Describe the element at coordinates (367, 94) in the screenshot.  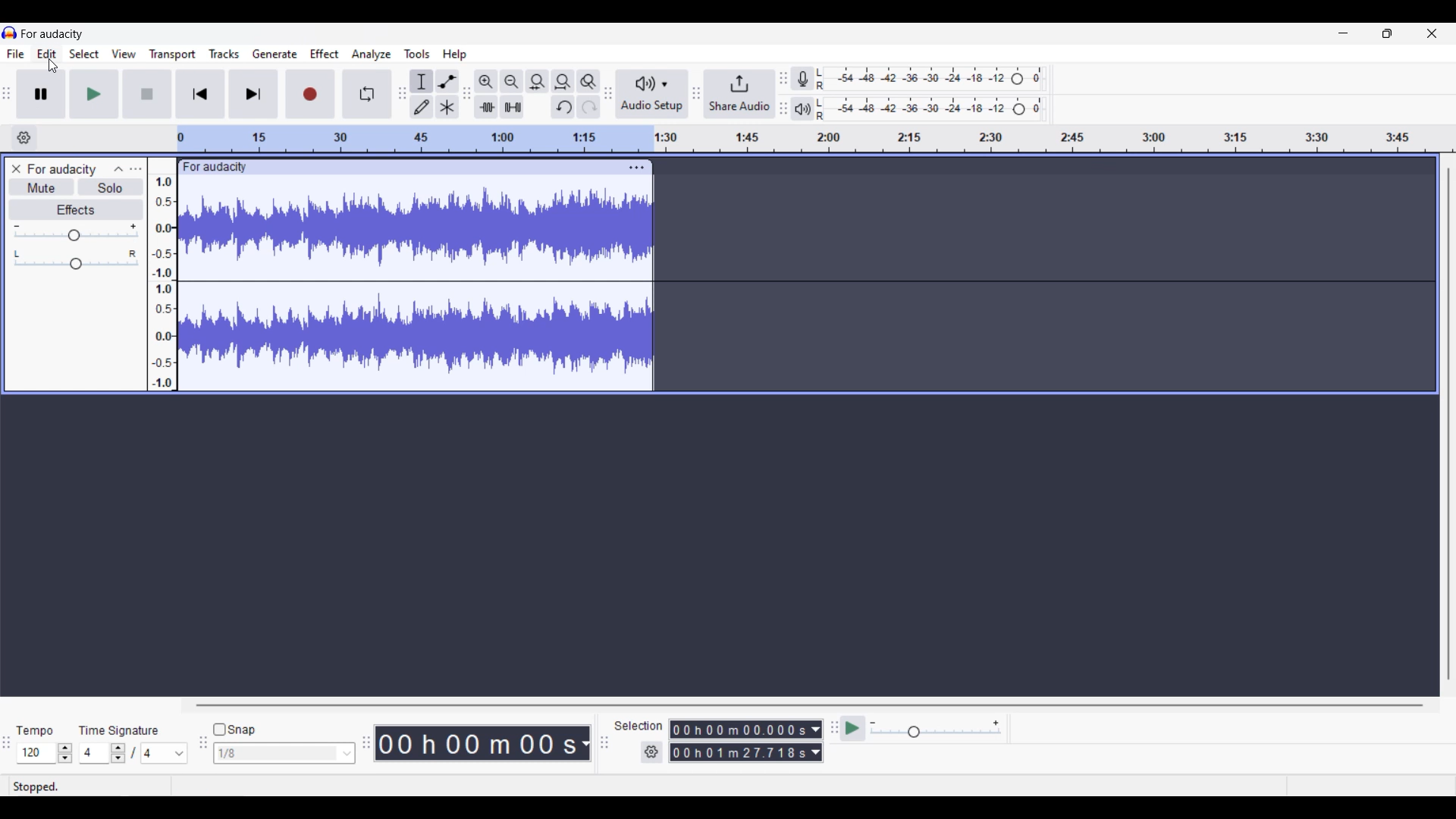
I see `Enable looping` at that location.